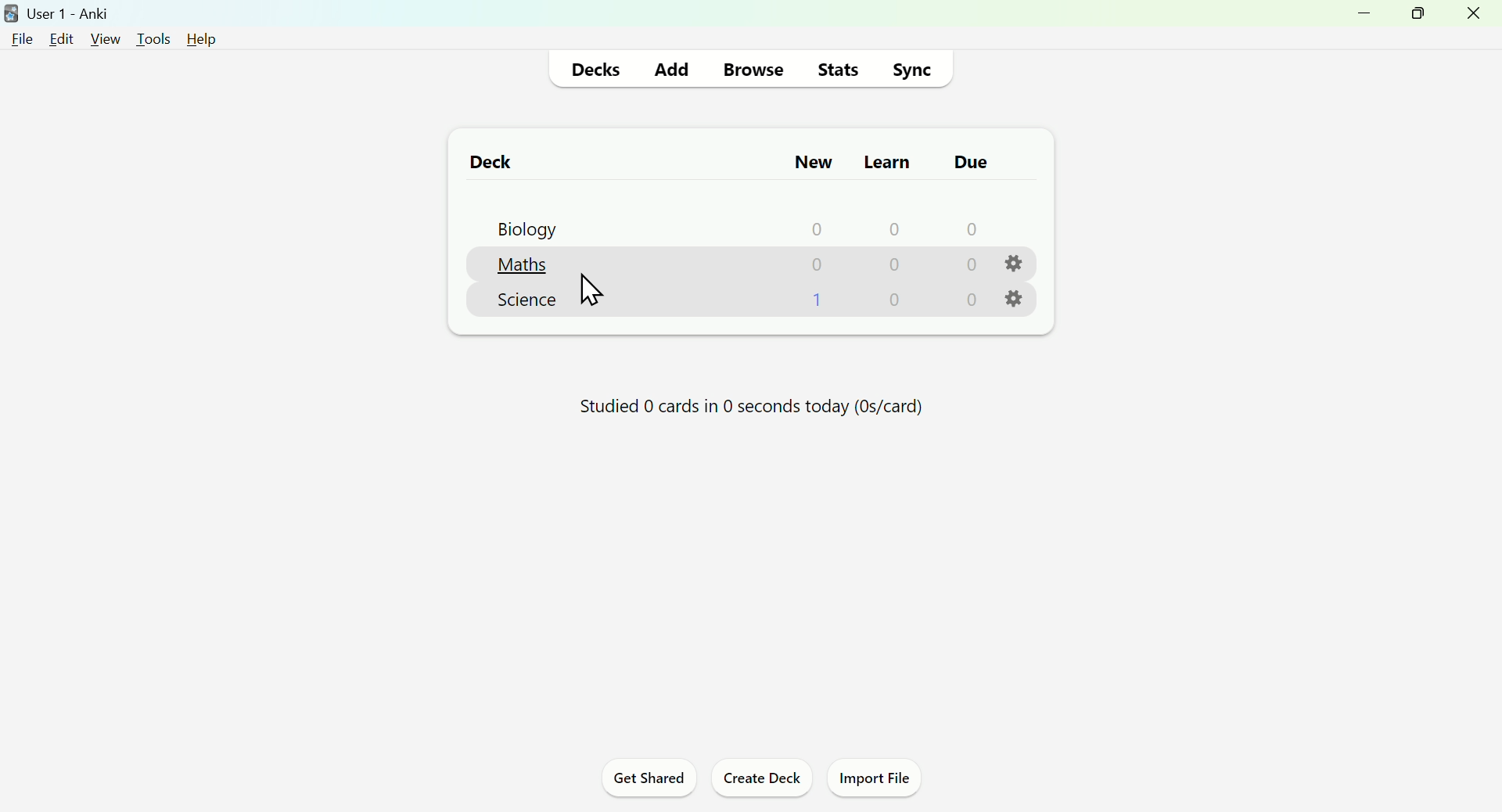  Describe the element at coordinates (153, 39) in the screenshot. I see `tools` at that location.